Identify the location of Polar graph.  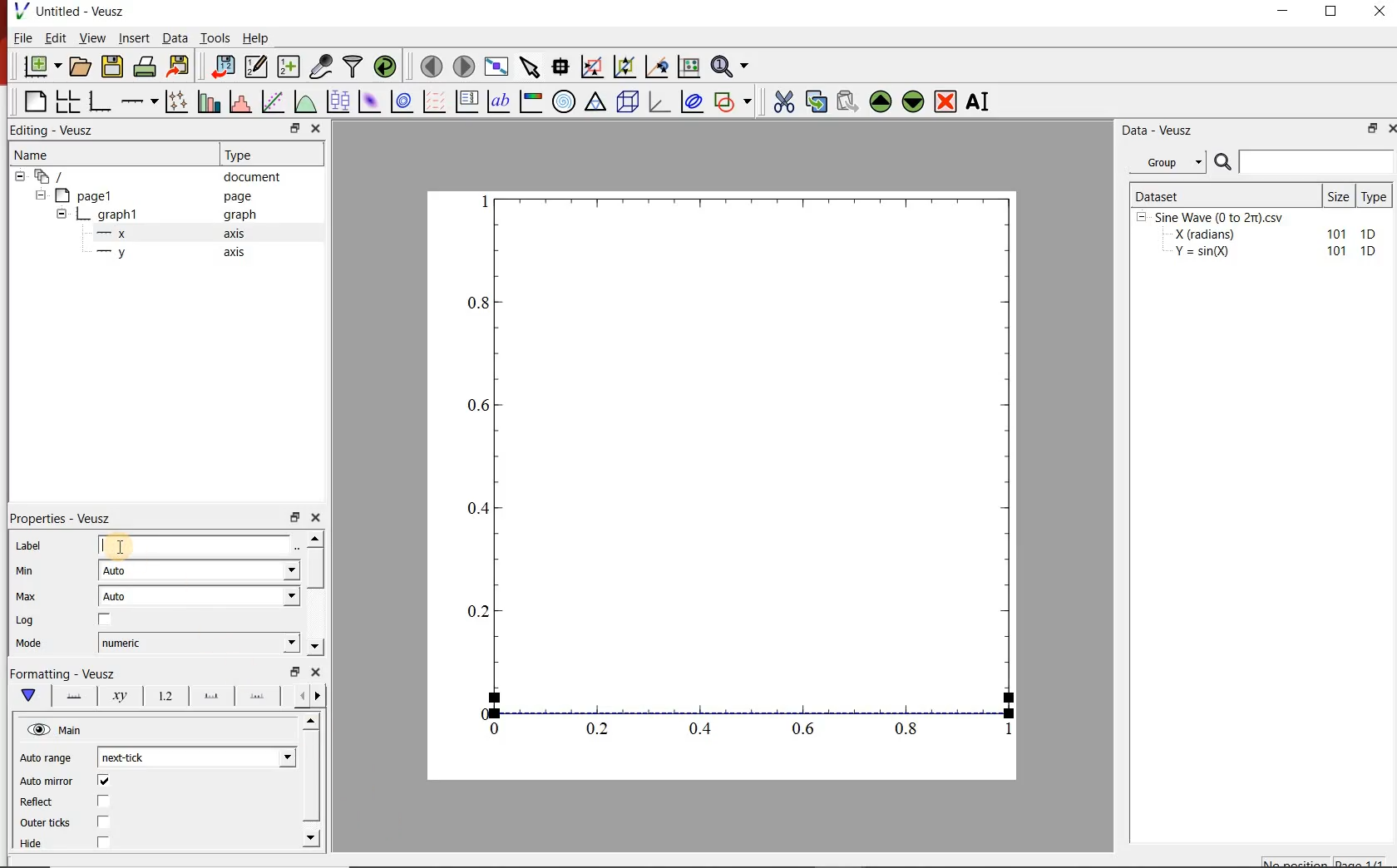
(565, 101).